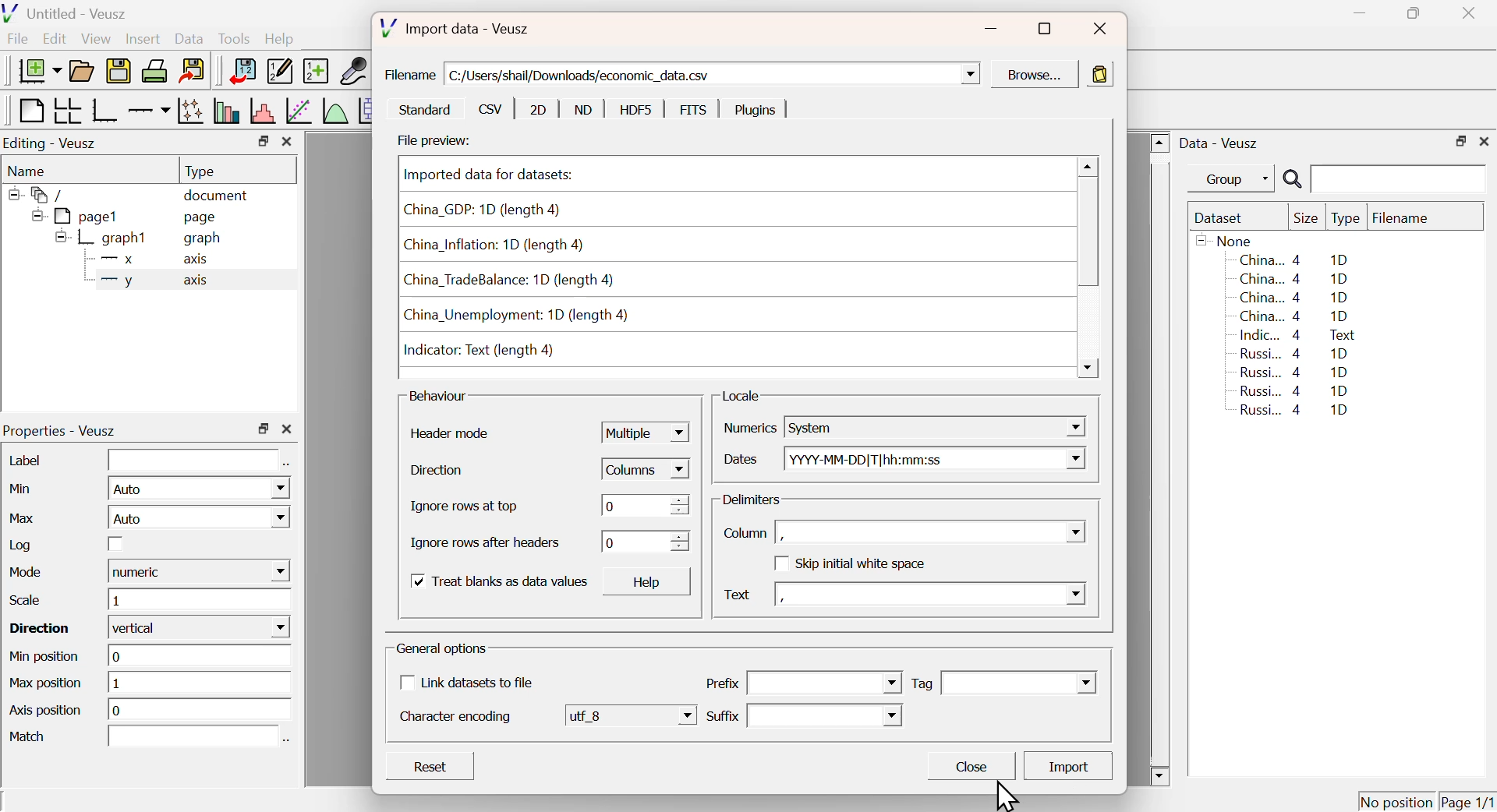 This screenshot has width=1497, height=812. Describe the element at coordinates (781, 563) in the screenshot. I see `Checkbox` at that location.